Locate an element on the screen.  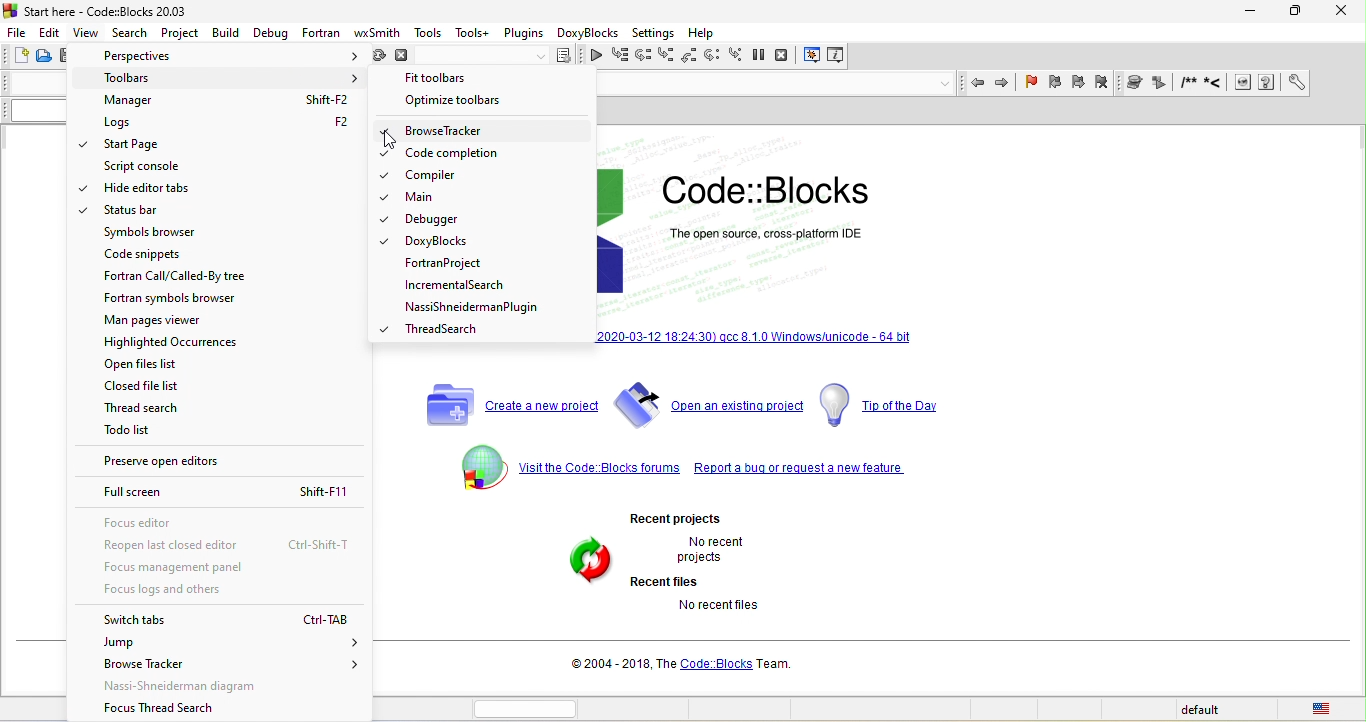
clear bookmark is located at coordinates (1107, 83).